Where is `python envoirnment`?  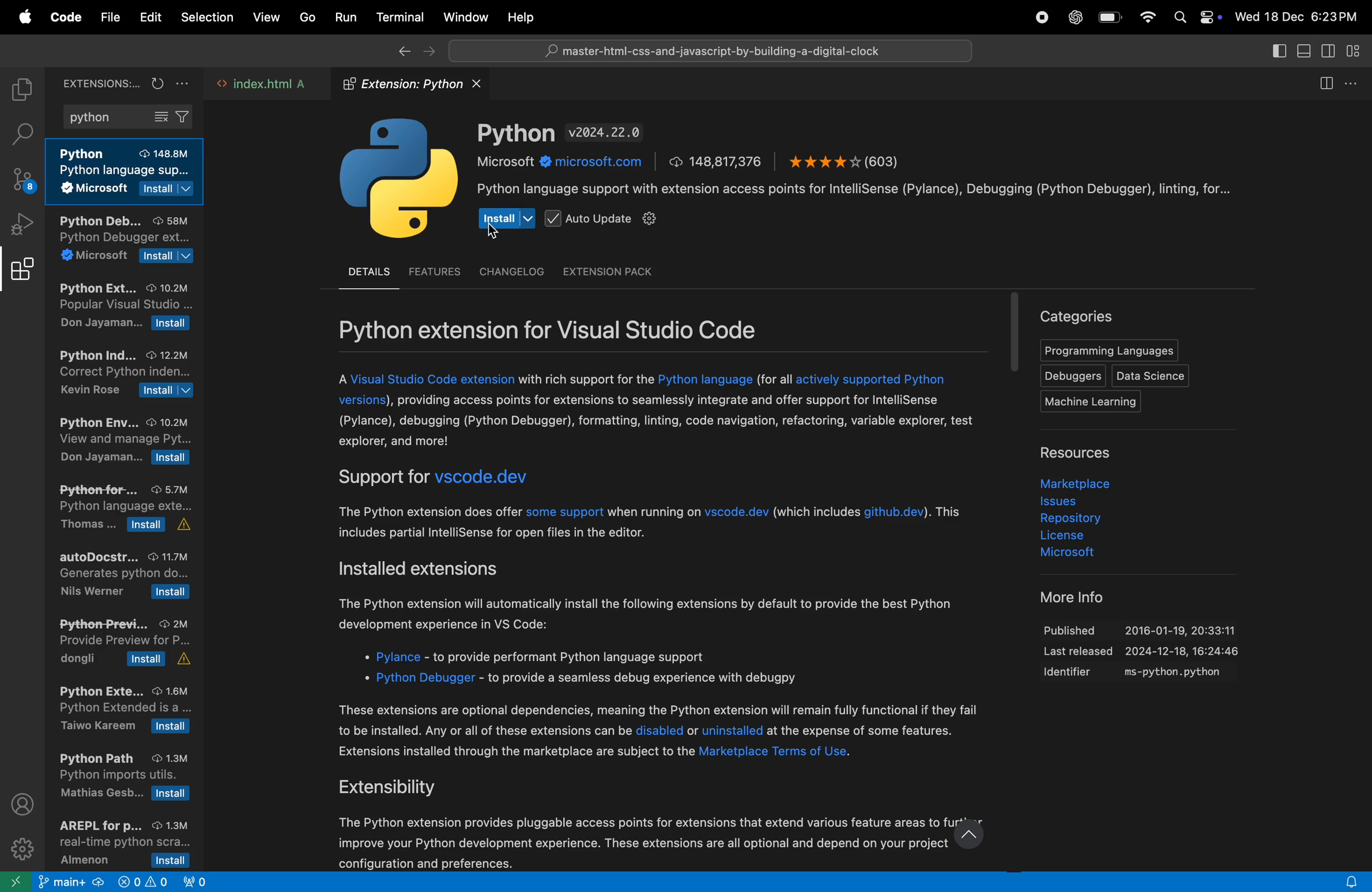
python envoirnment is located at coordinates (123, 444).